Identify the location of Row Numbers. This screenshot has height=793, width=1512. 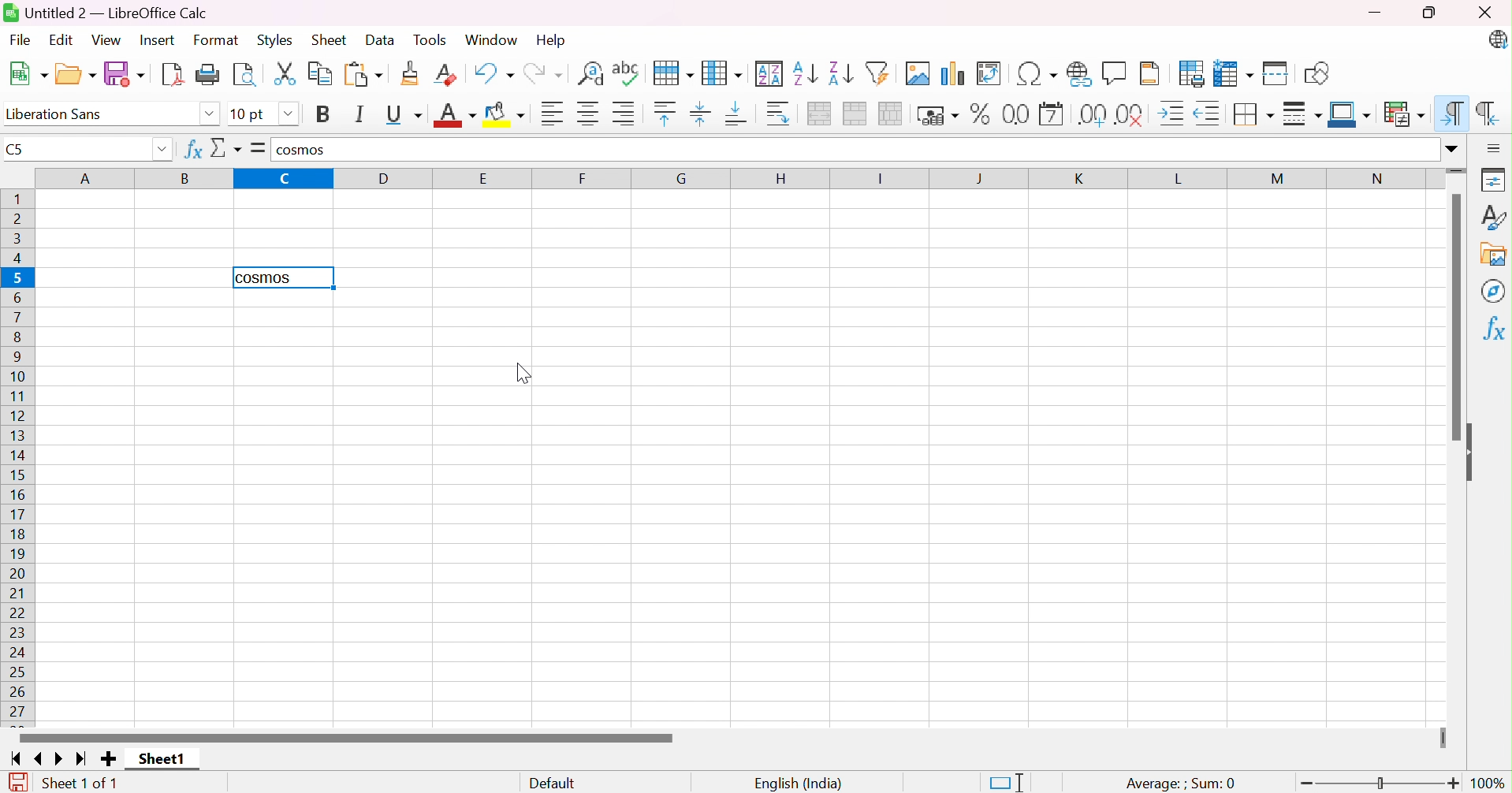
(20, 456).